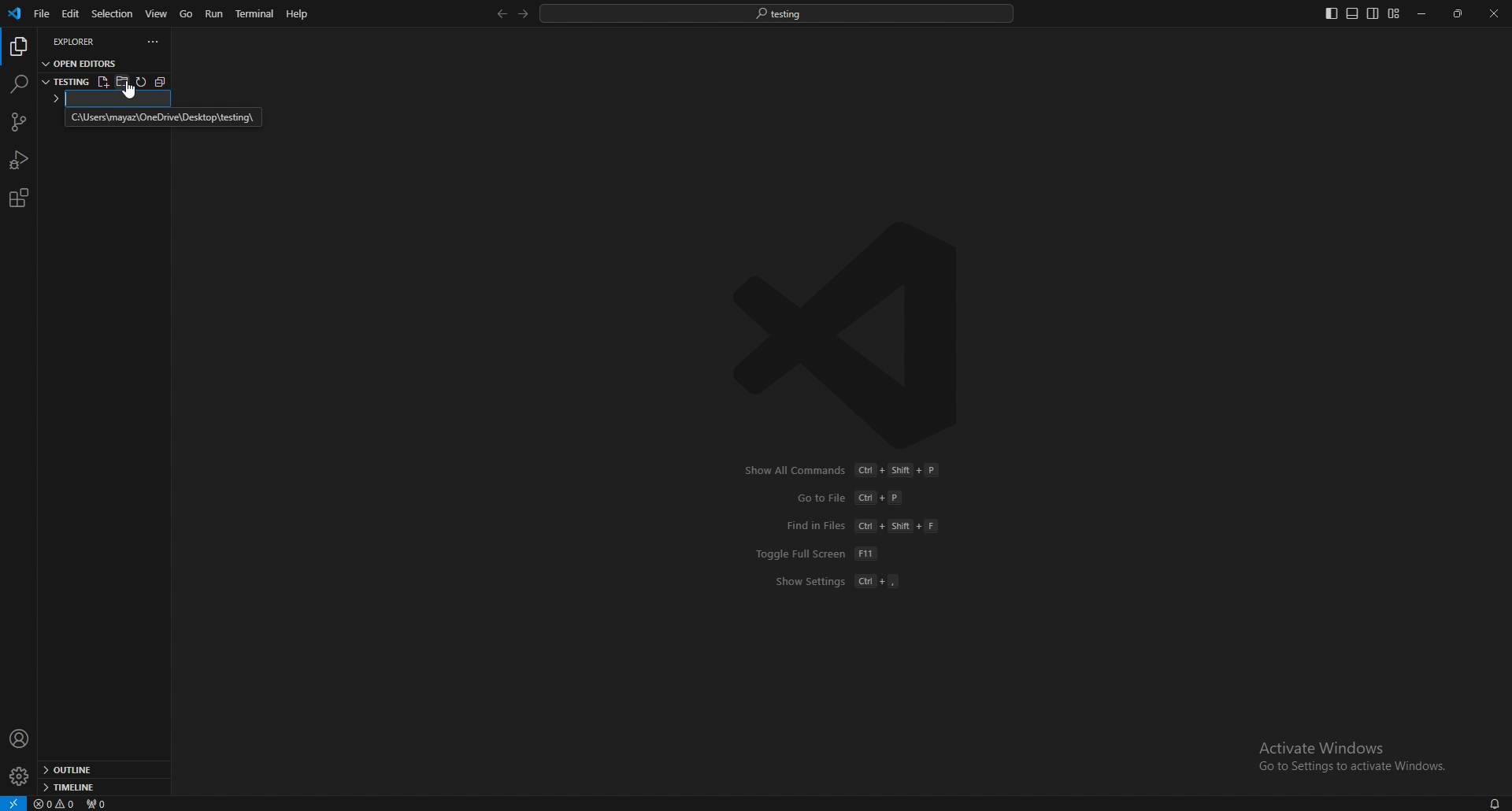  Describe the element at coordinates (17, 123) in the screenshot. I see `source code` at that location.